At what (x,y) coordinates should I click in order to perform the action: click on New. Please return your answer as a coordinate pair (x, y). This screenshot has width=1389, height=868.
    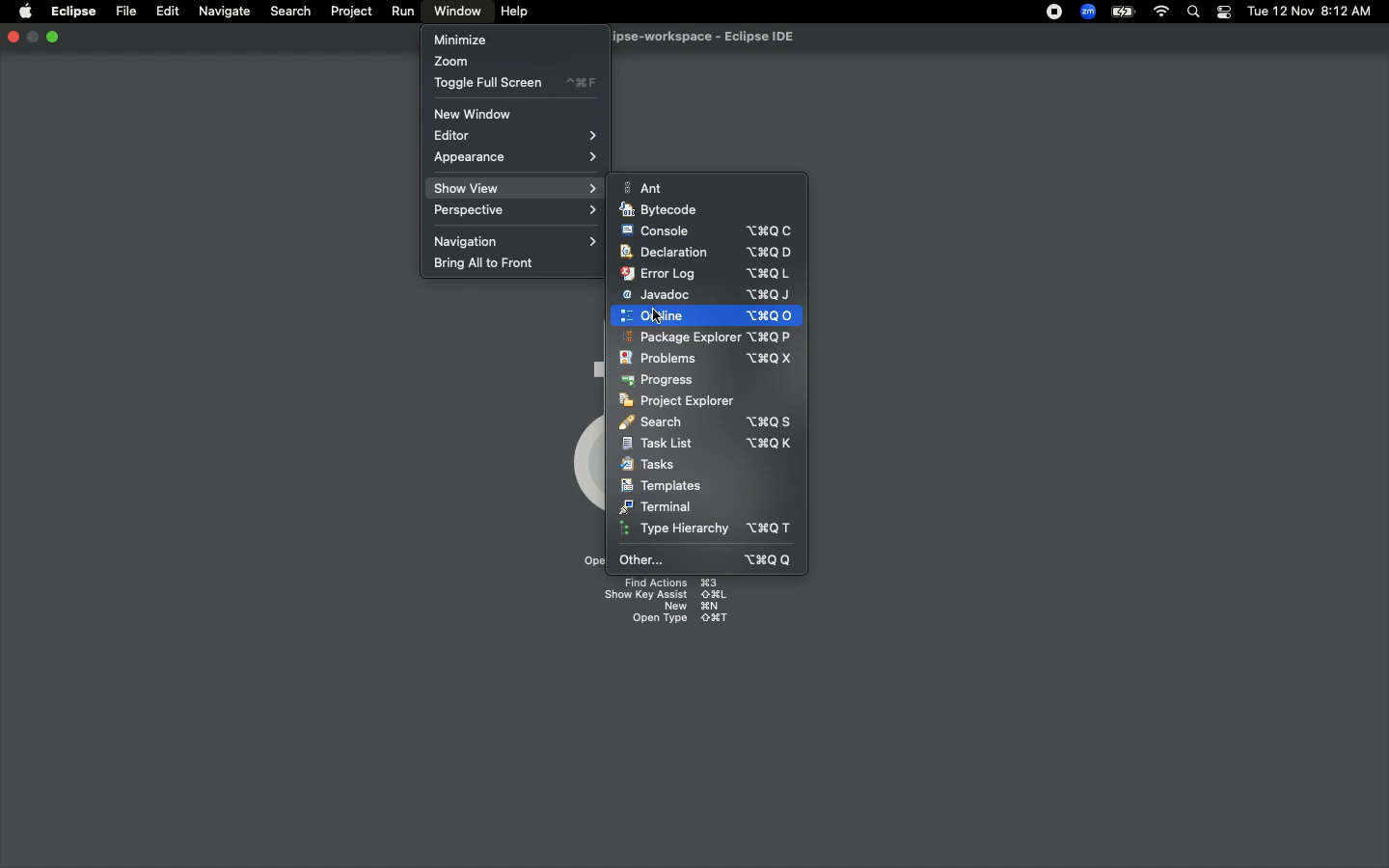
    Looking at the image, I should click on (693, 608).